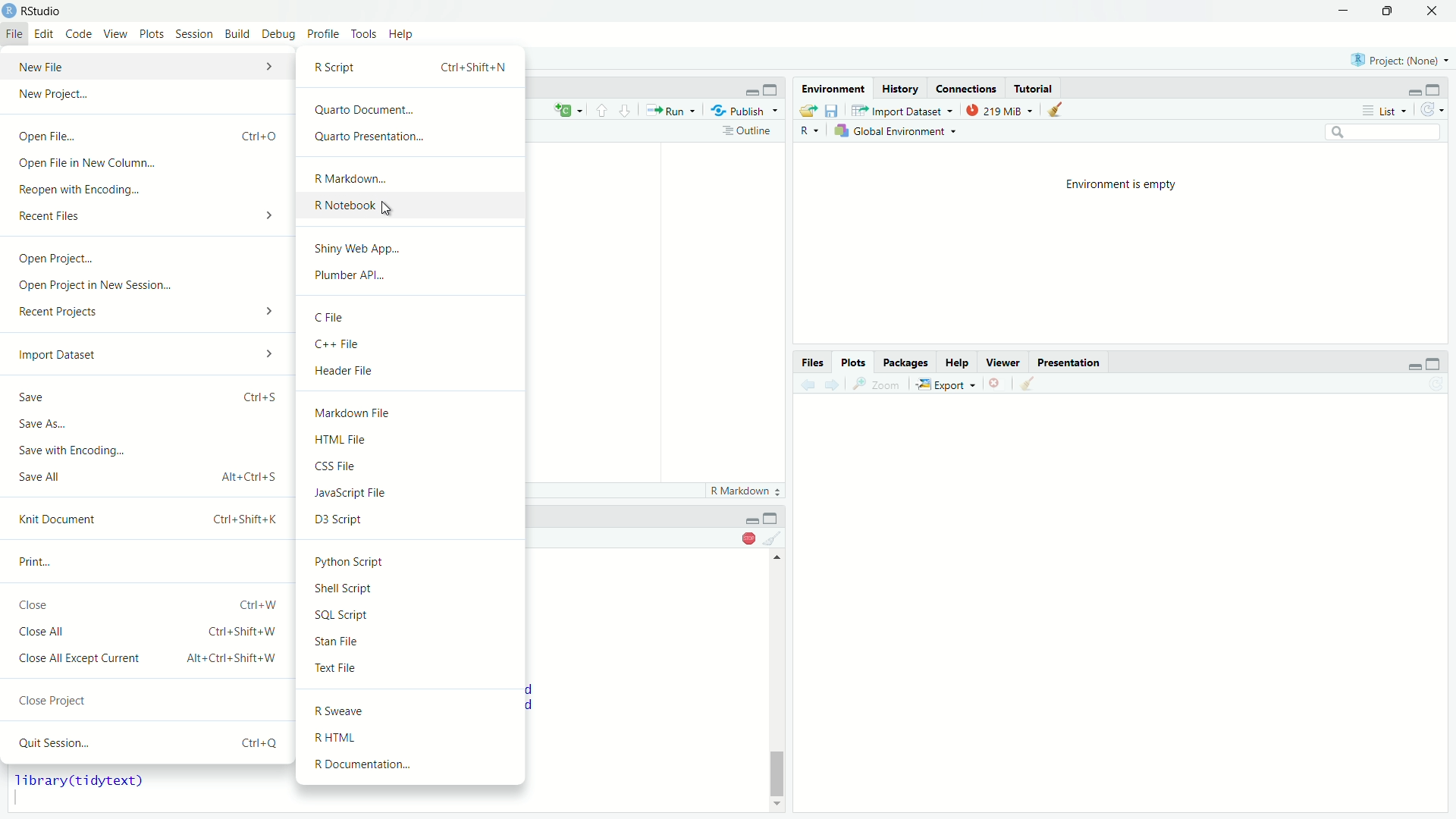 This screenshot has width=1456, height=819. I want to click on maximize, so click(1433, 363).